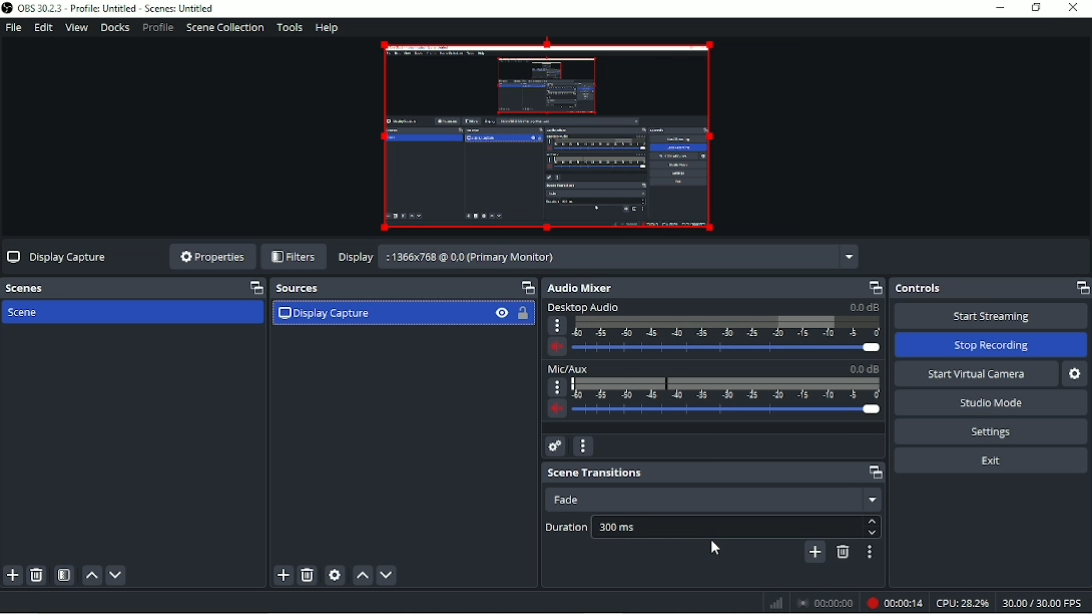  What do you see at coordinates (505, 312) in the screenshot?
I see `view` at bounding box center [505, 312].